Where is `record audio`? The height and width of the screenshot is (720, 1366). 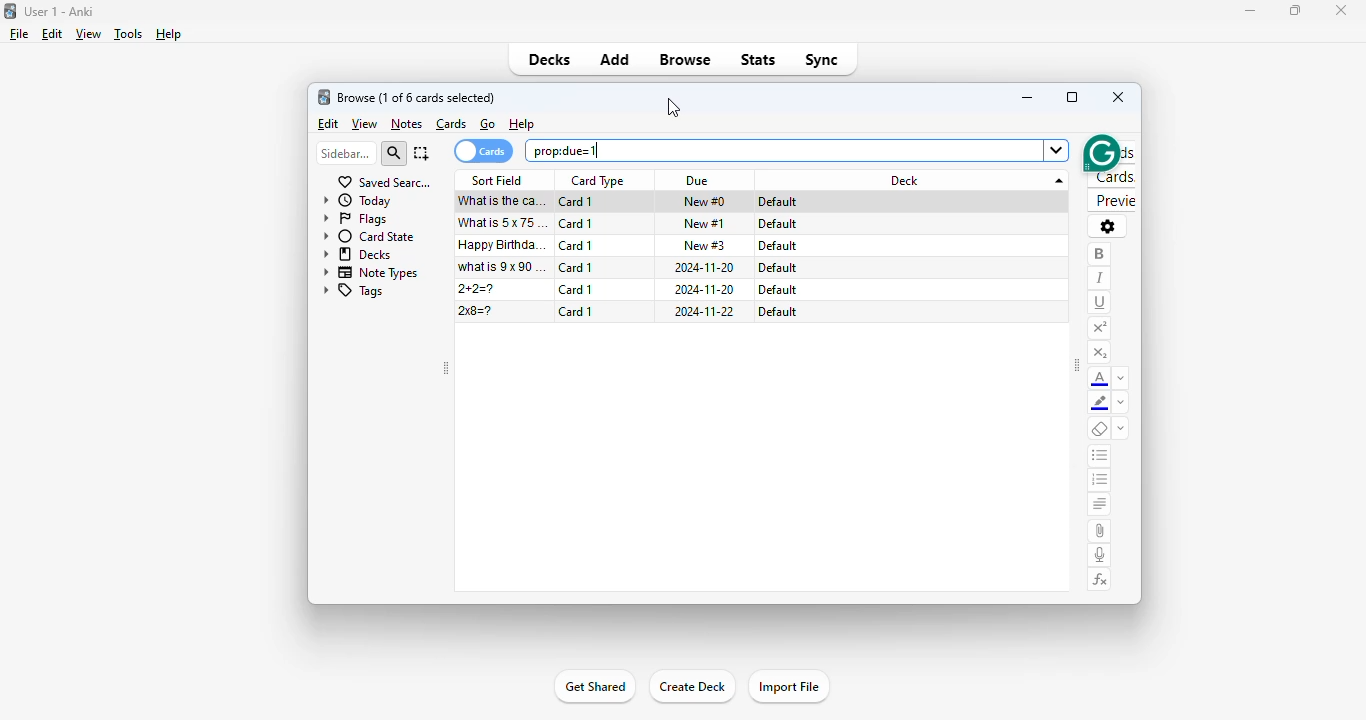 record audio is located at coordinates (1100, 555).